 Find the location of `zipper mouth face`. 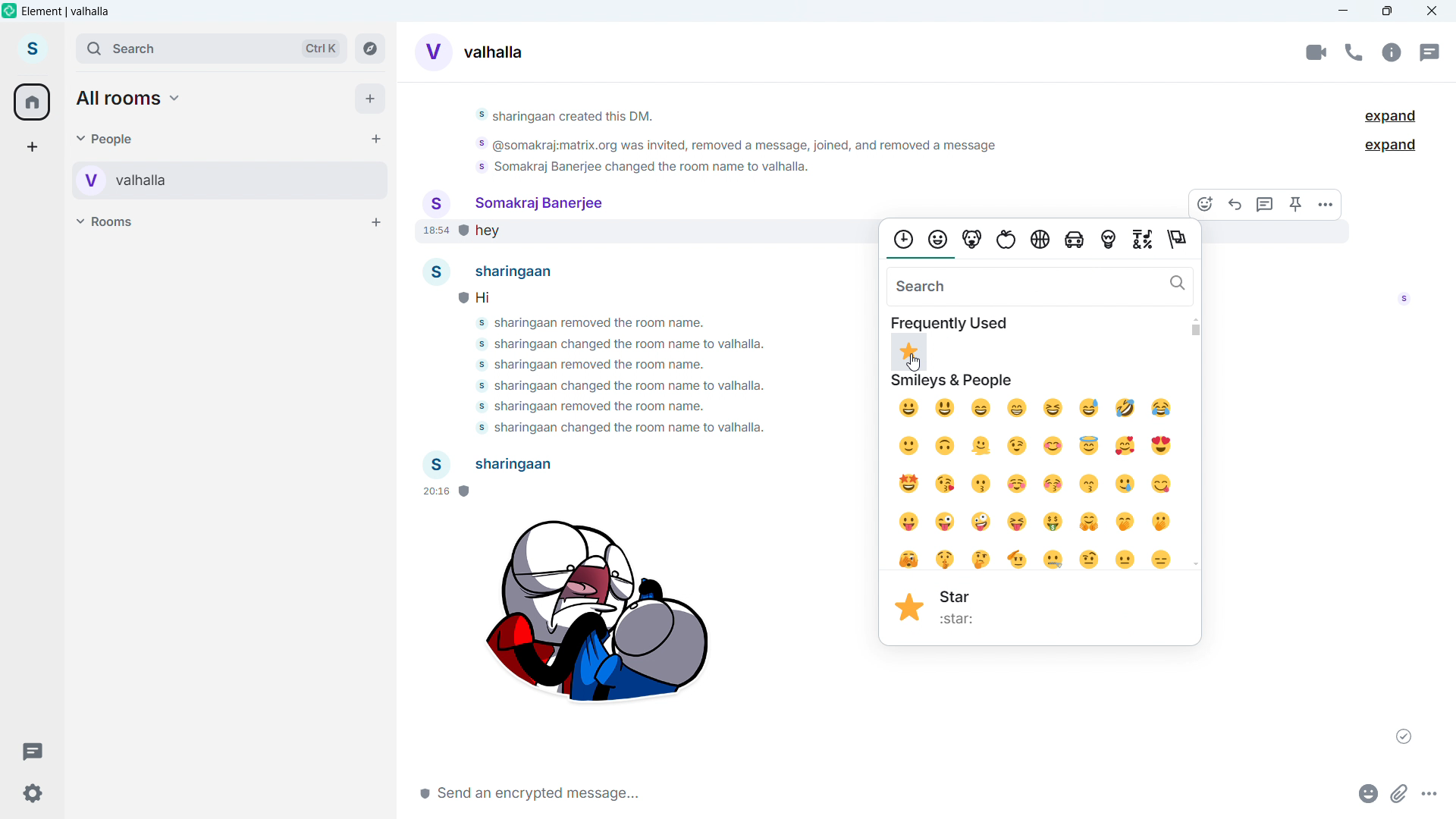

zipper mouth face is located at coordinates (1055, 560).